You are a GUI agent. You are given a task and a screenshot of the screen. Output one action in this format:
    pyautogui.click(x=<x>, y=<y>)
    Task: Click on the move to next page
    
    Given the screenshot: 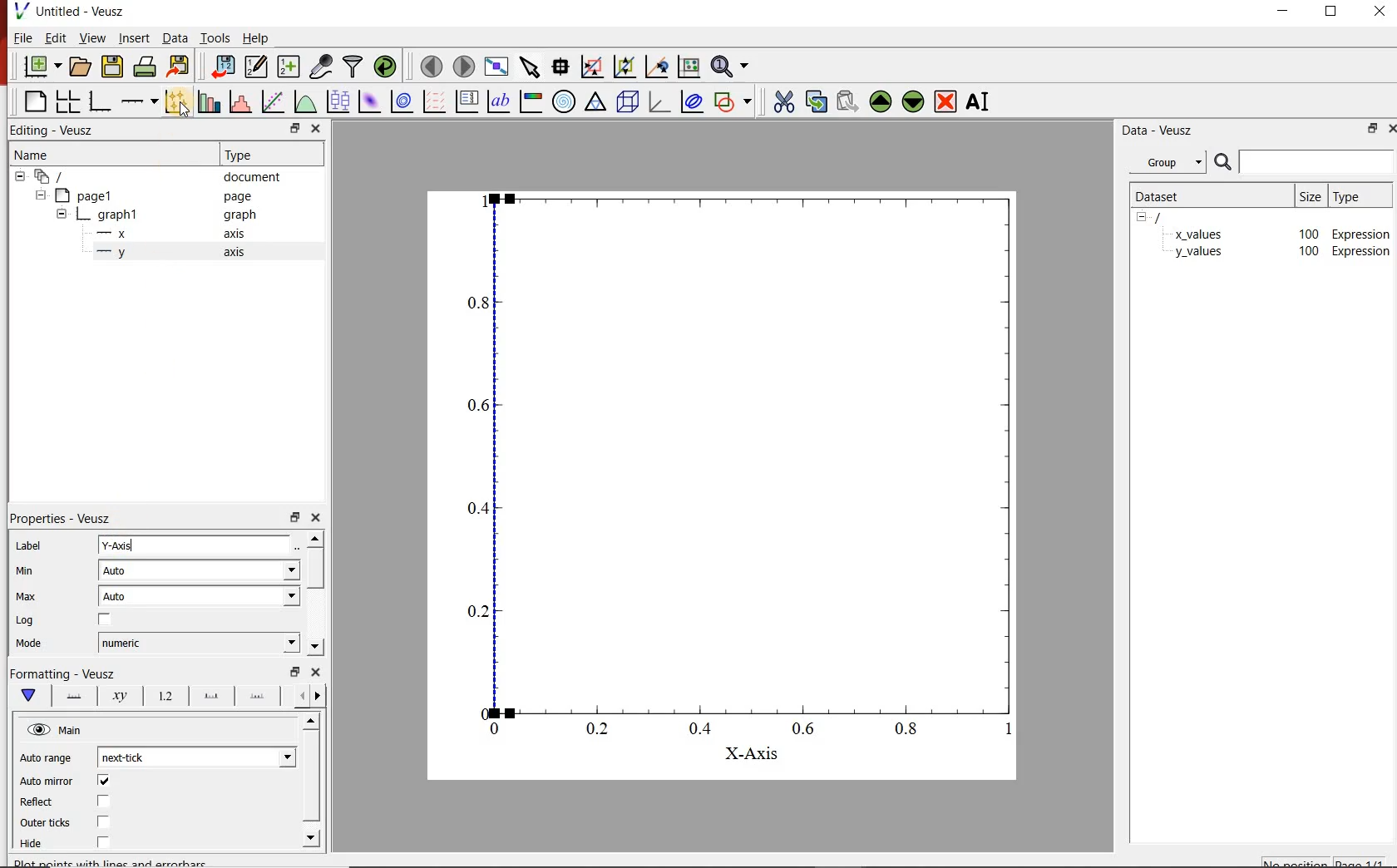 What is the action you would take?
    pyautogui.click(x=465, y=67)
    